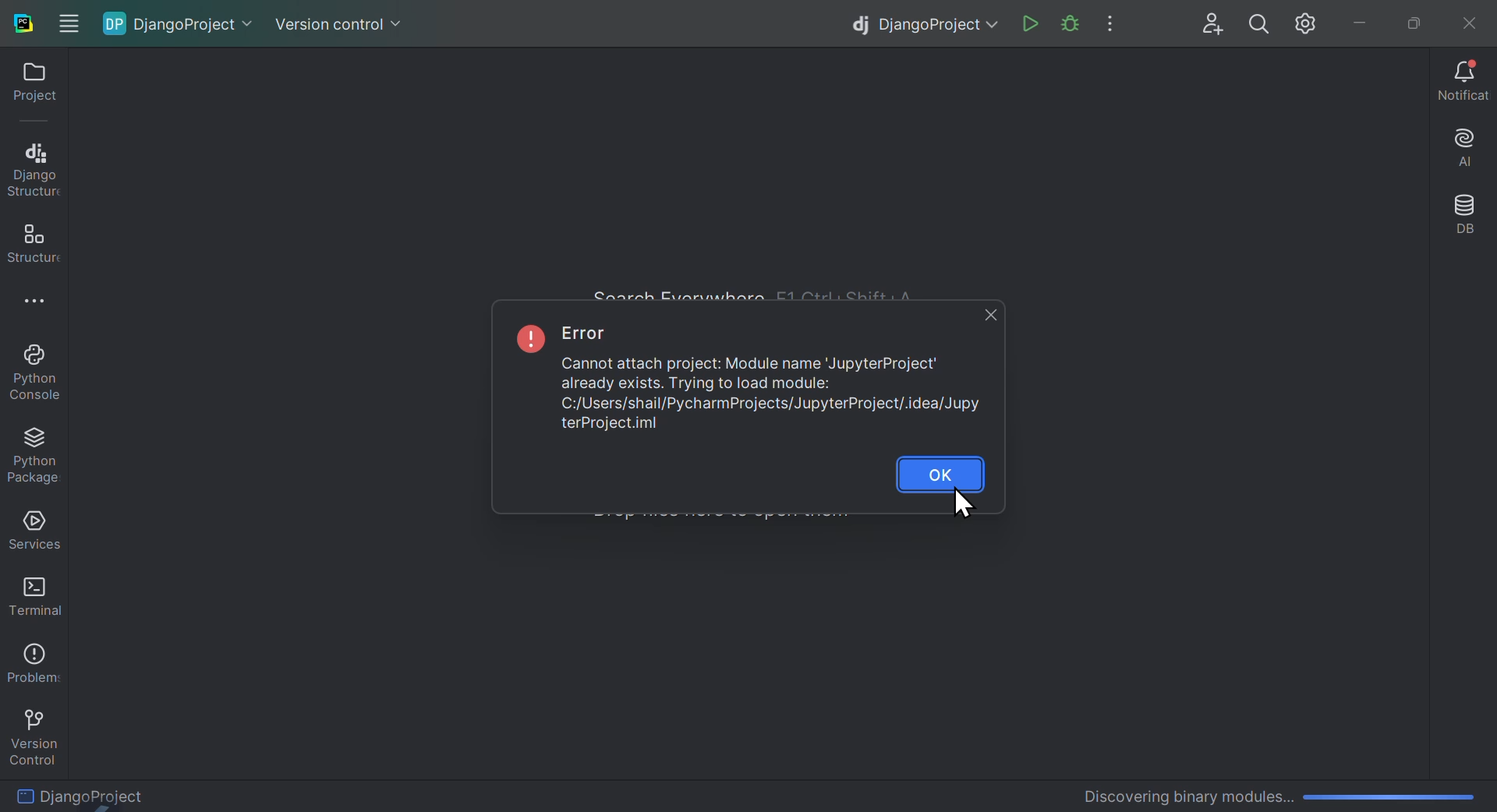 This screenshot has height=812, width=1497. Describe the element at coordinates (39, 374) in the screenshot. I see `Python console` at that location.